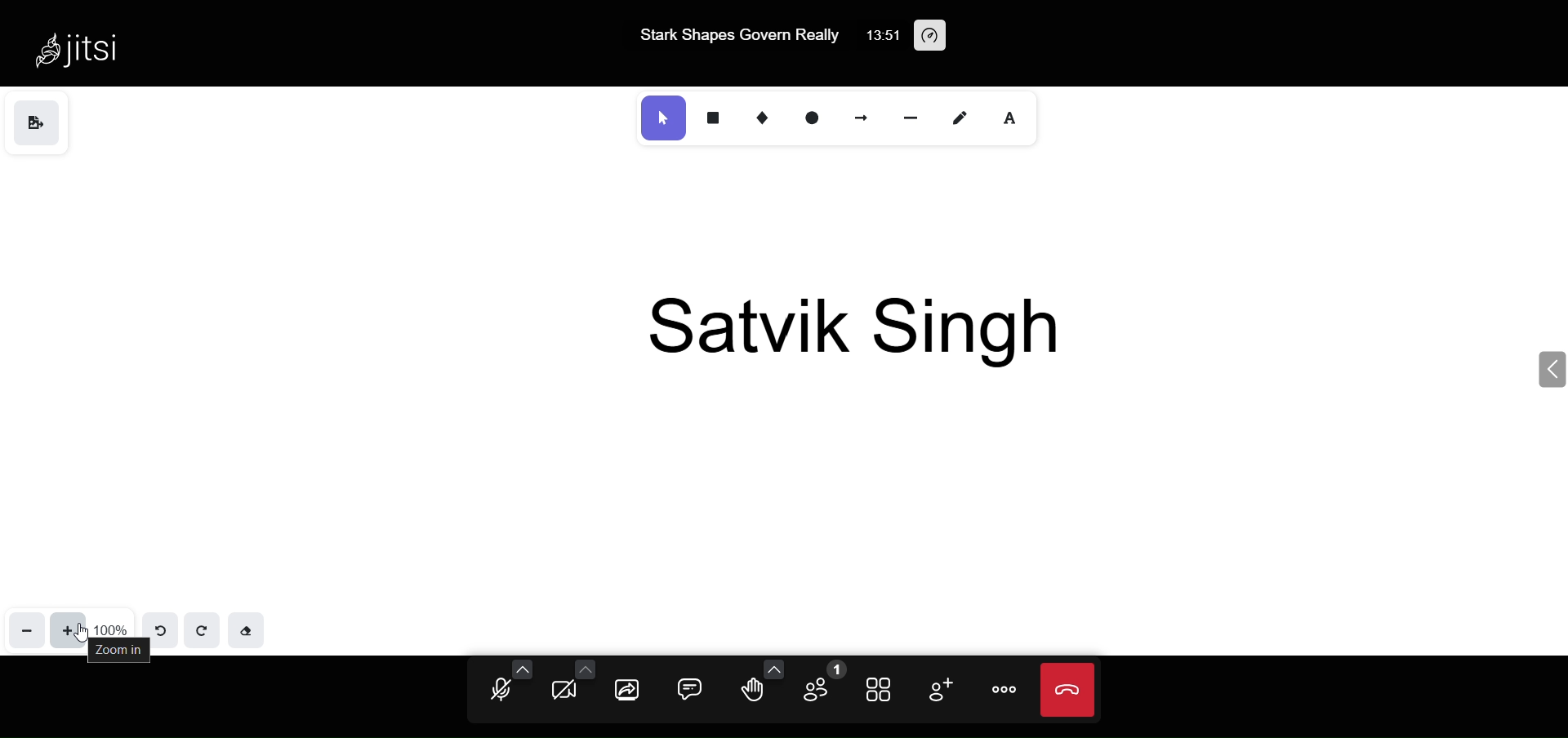 This screenshot has width=1568, height=738. What do you see at coordinates (111, 620) in the screenshot?
I see `100%` at bounding box center [111, 620].